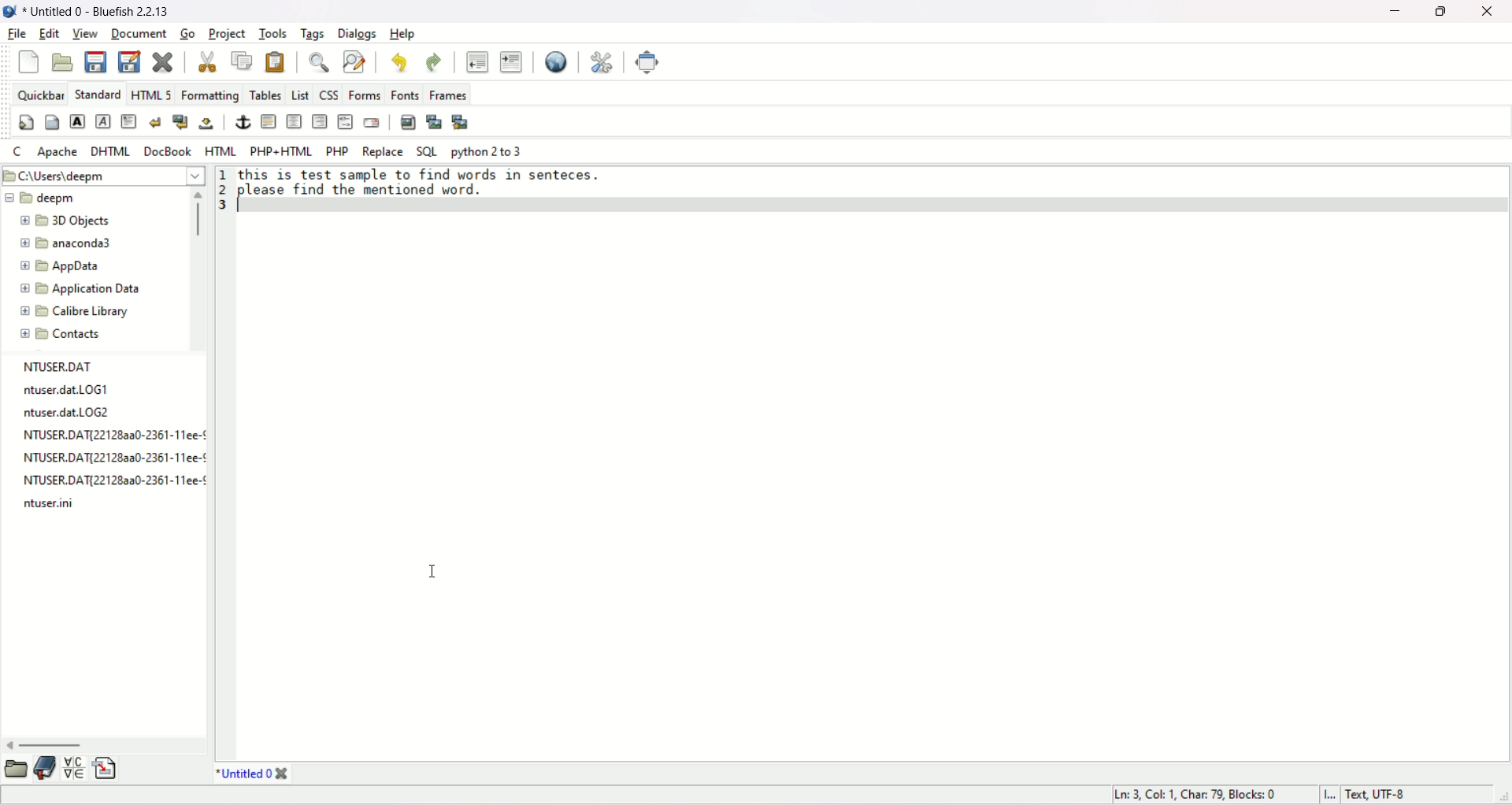 The height and width of the screenshot is (805, 1512). I want to click on NTUSER.DAT{22128aa0-2361-11ee-¢, so click(116, 457).